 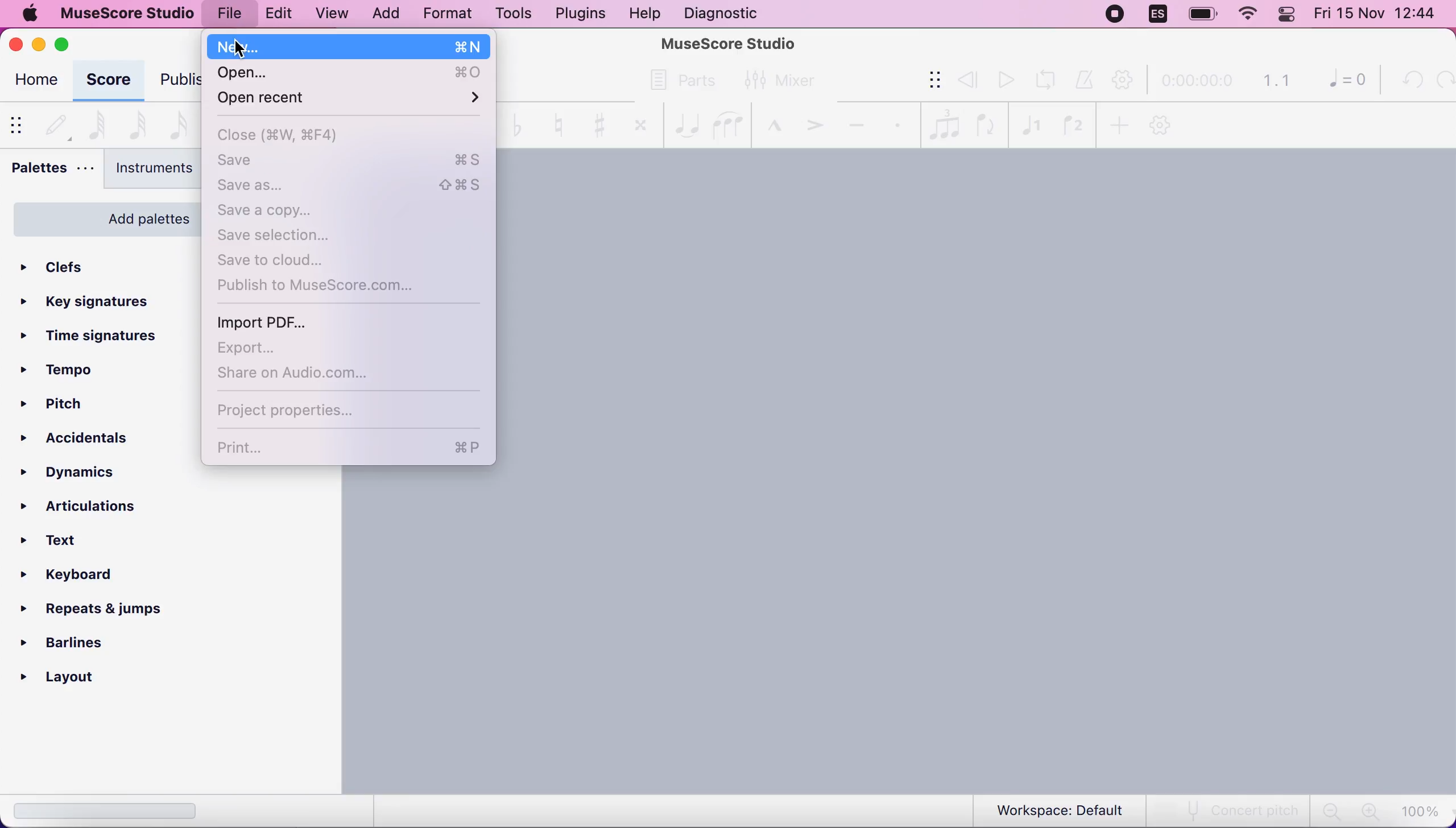 What do you see at coordinates (1247, 14) in the screenshot?
I see `wifi` at bounding box center [1247, 14].